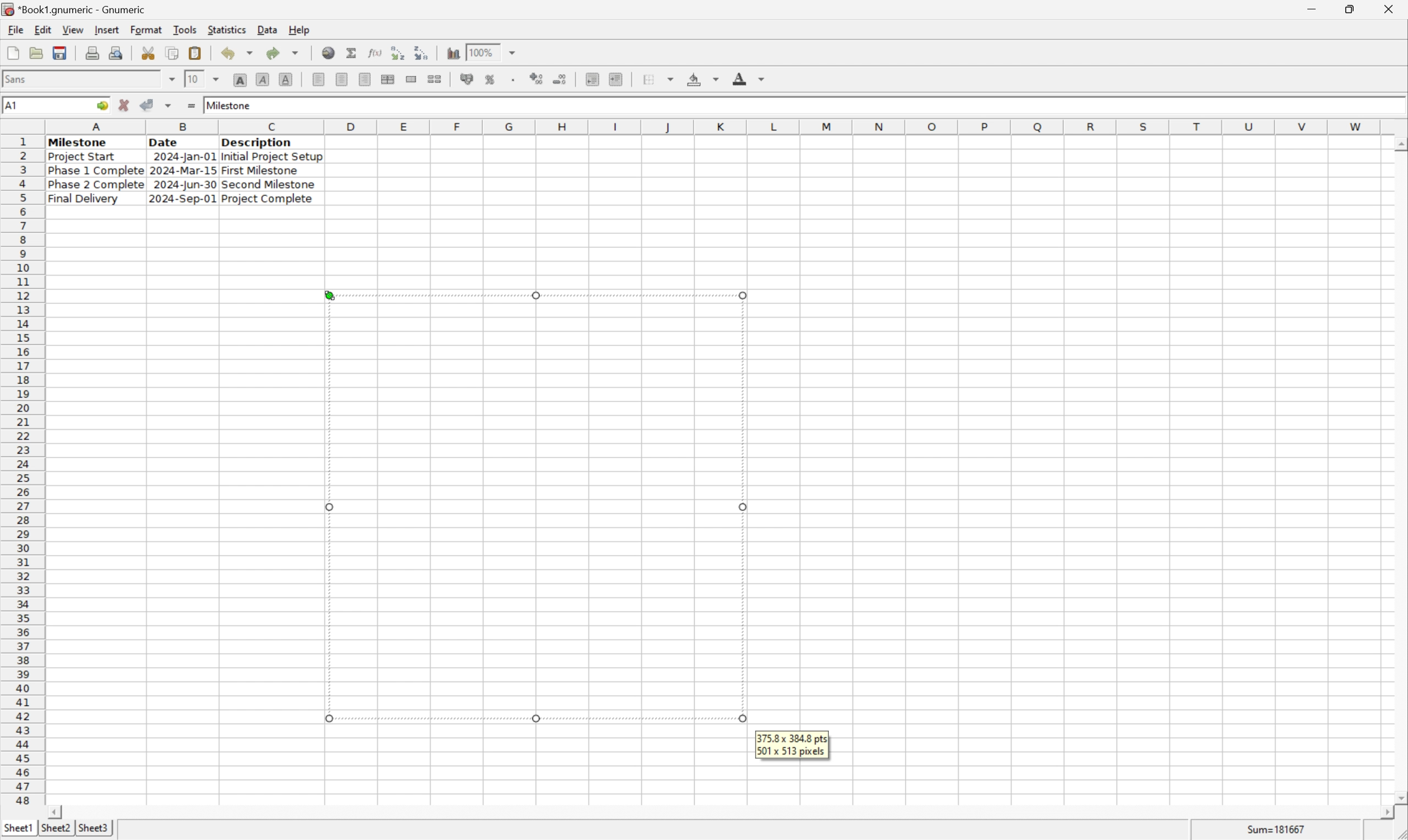  Describe the element at coordinates (128, 106) in the screenshot. I see `cancel changes` at that location.